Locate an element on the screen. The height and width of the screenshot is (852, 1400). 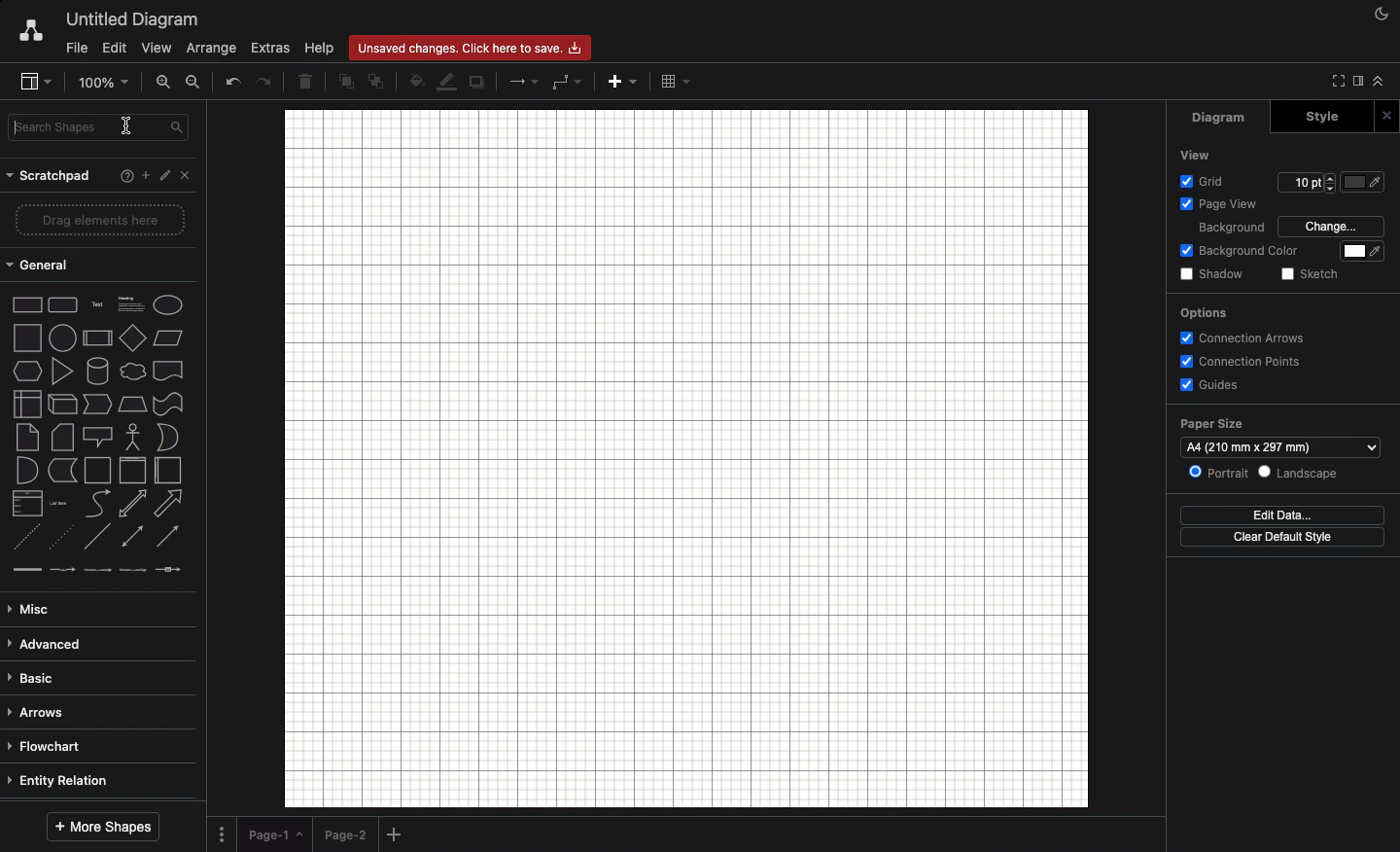
Zoom in is located at coordinates (164, 81).